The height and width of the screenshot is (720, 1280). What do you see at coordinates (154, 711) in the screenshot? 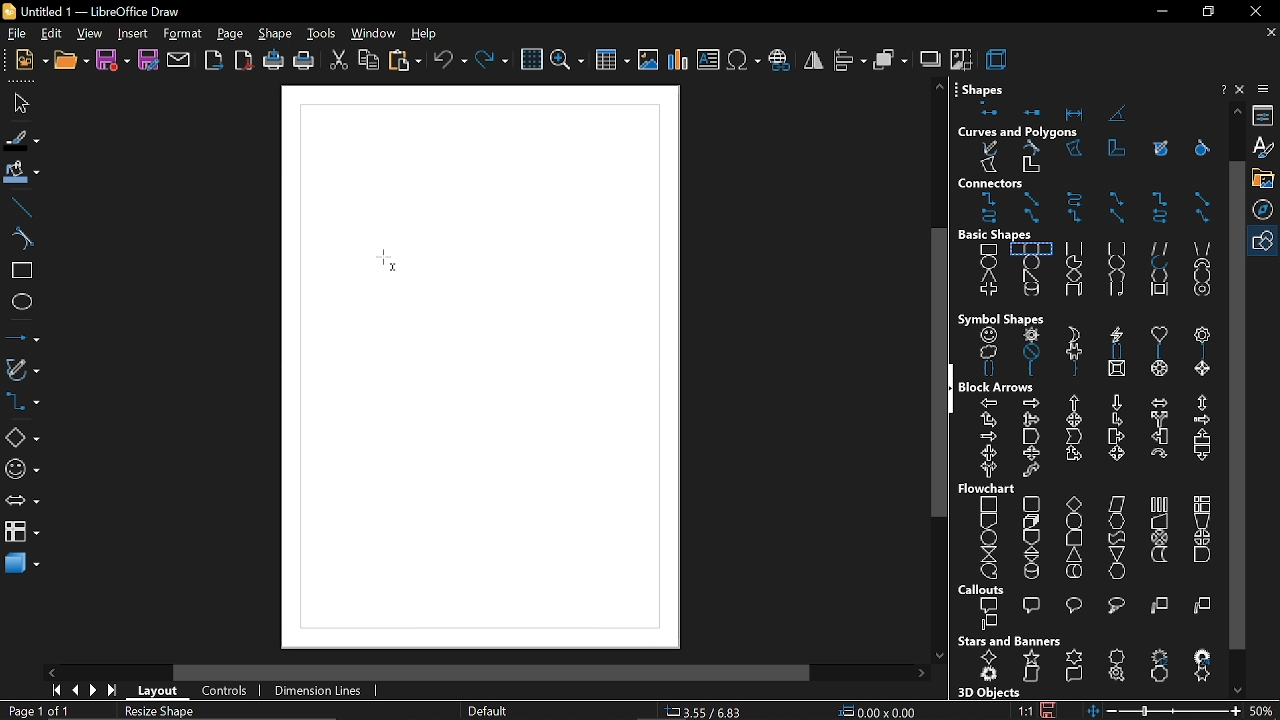
I see `resize shape` at bounding box center [154, 711].